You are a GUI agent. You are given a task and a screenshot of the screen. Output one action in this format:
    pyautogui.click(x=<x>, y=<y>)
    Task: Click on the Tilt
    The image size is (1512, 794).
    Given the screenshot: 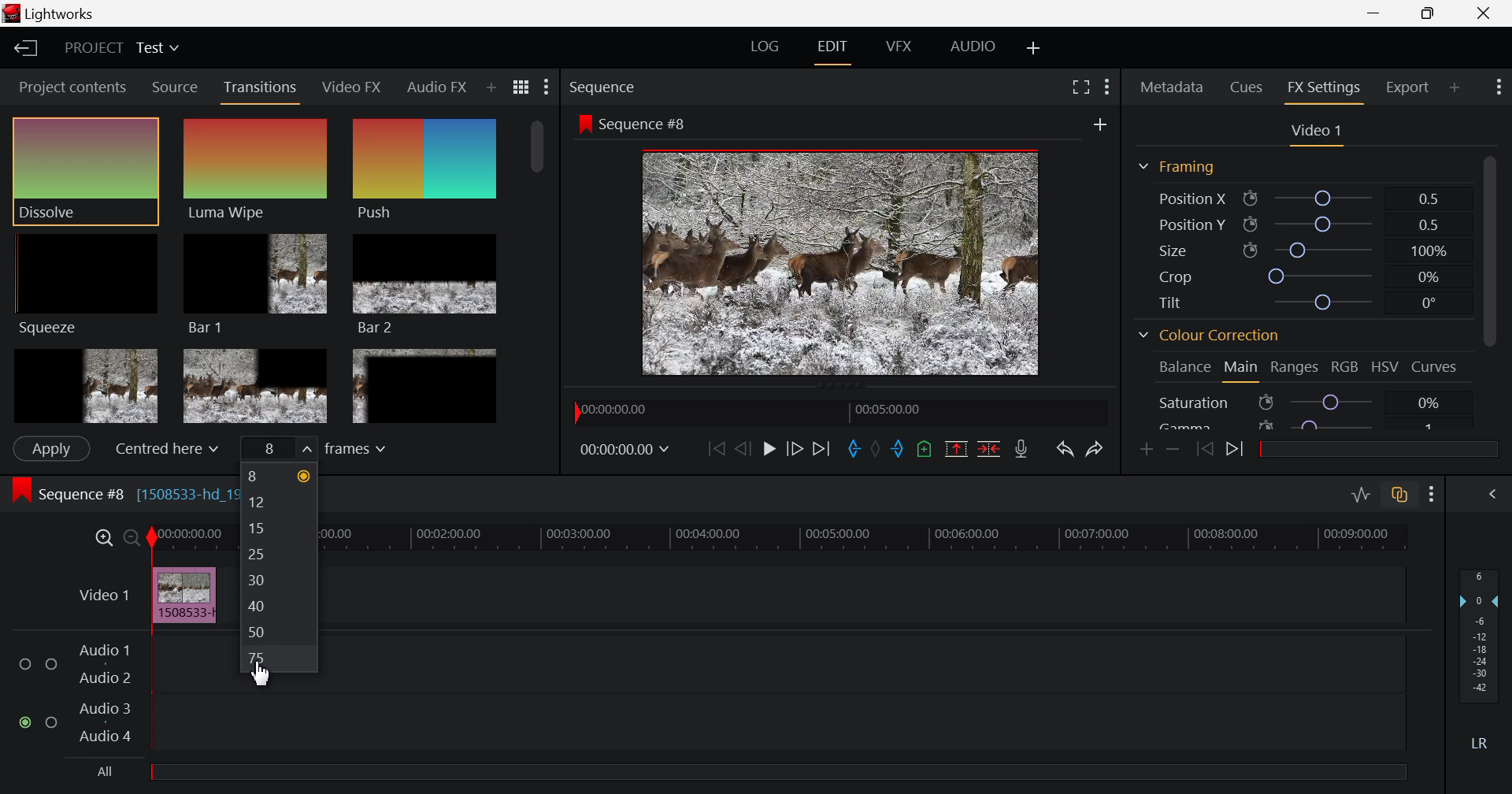 What is the action you would take?
    pyautogui.click(x=1296, y=302)
    